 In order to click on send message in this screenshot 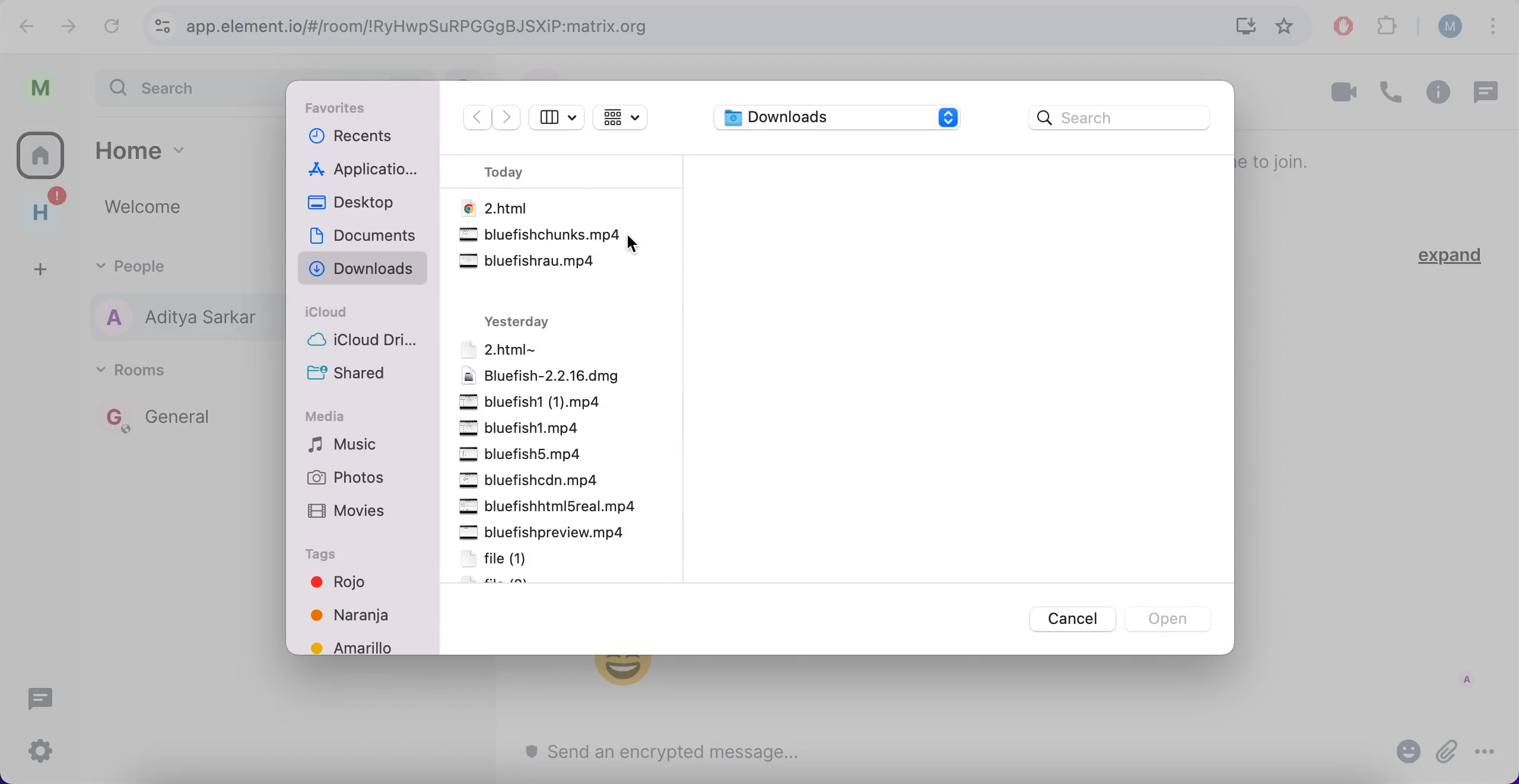, I will do `click(953, 755)`.